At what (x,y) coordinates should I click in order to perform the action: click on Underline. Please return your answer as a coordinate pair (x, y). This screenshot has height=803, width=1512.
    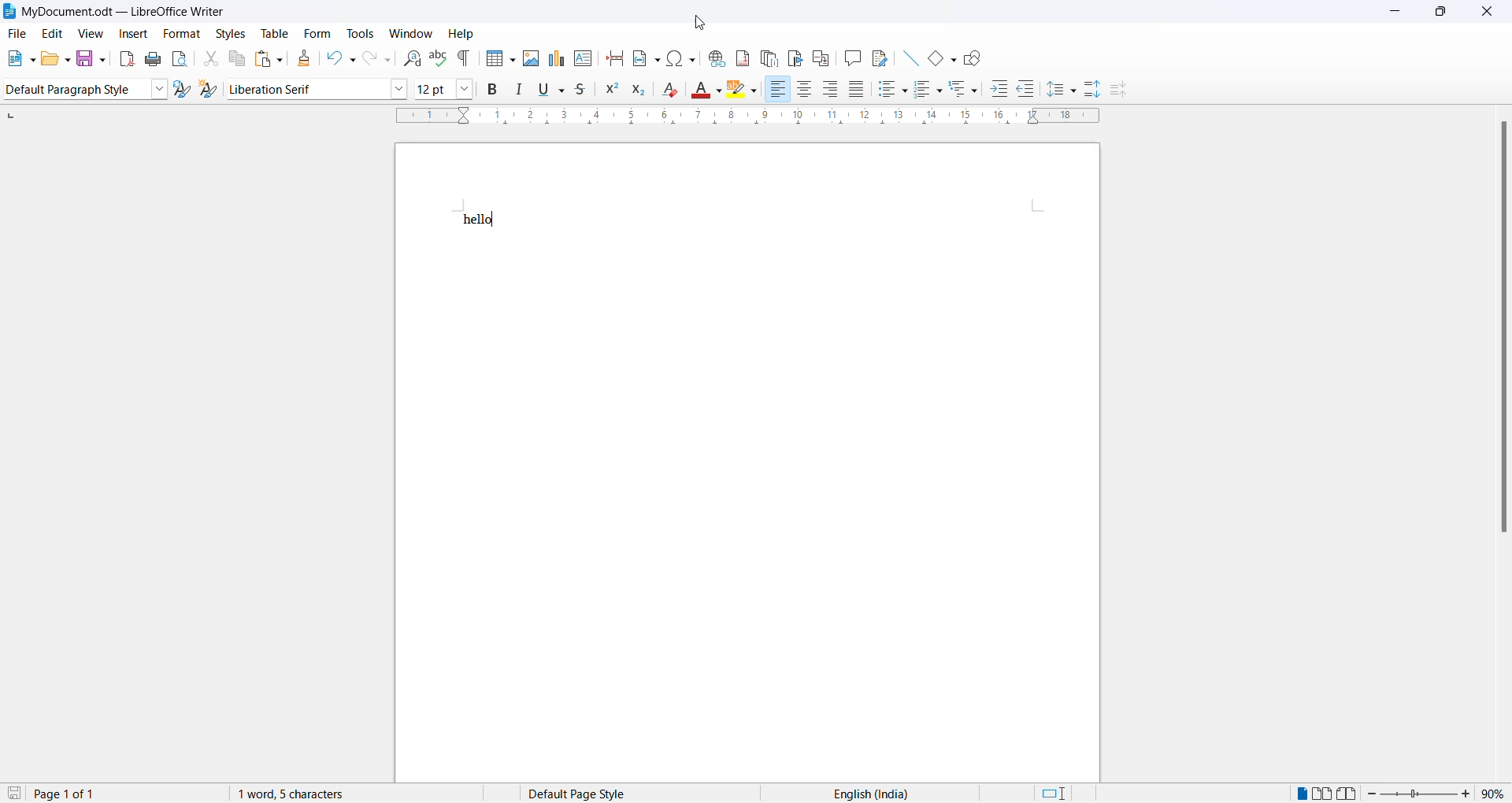
    Looking at the image, I should click on (550, 92).